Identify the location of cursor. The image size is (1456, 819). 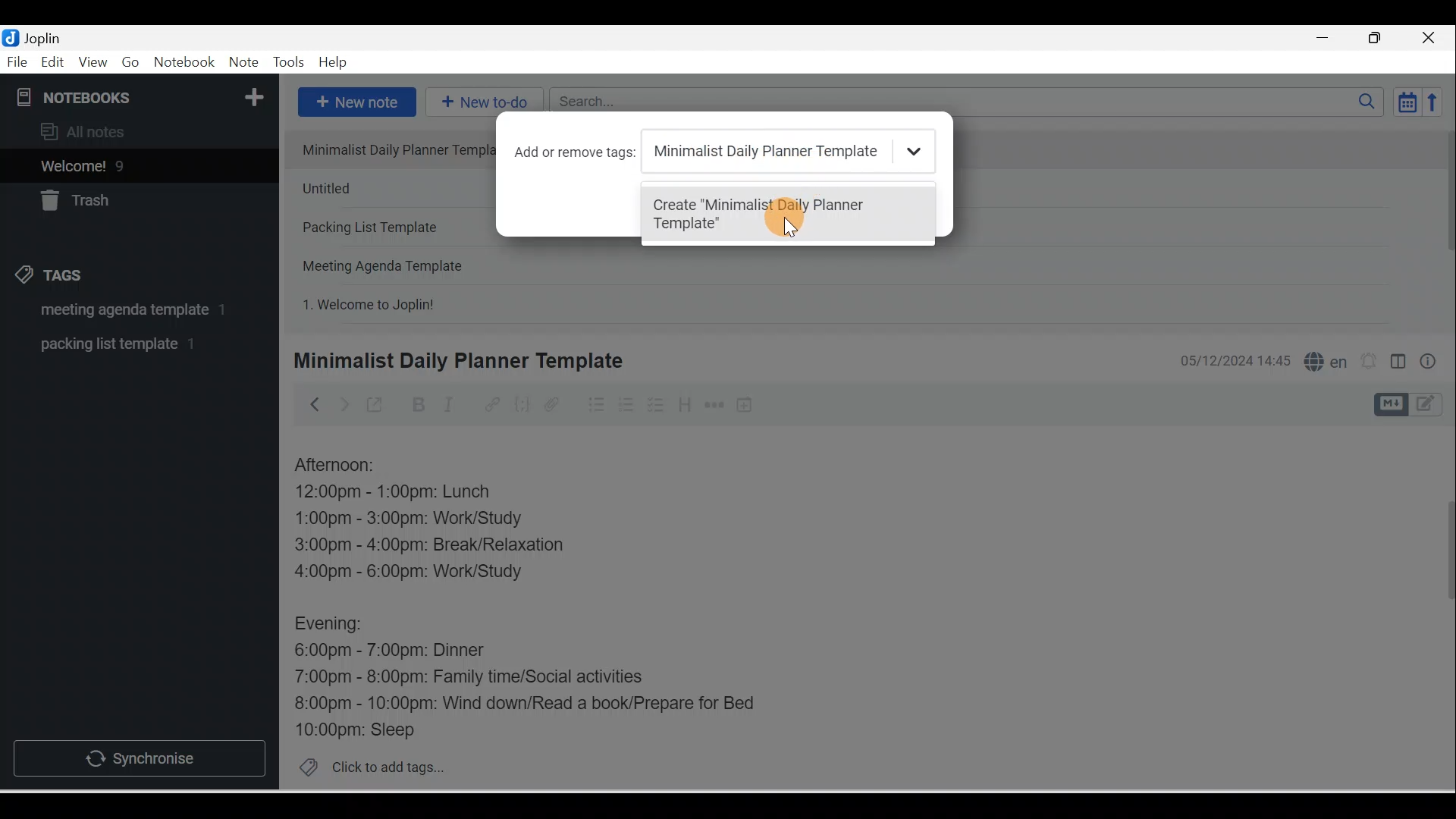
(786, 216).